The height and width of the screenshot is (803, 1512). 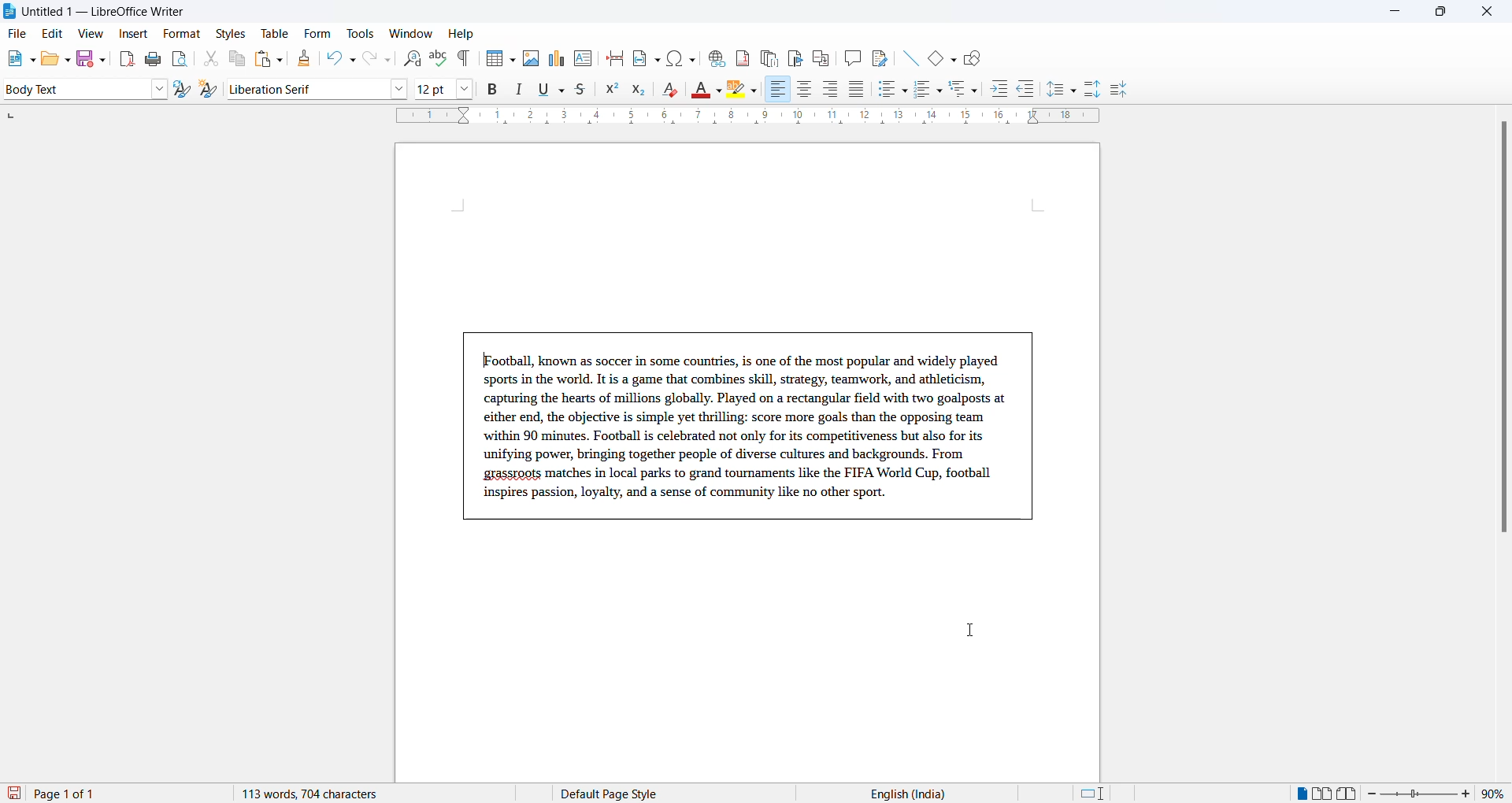 I want to click on insert cross-reference, so click(x=878, y=57).